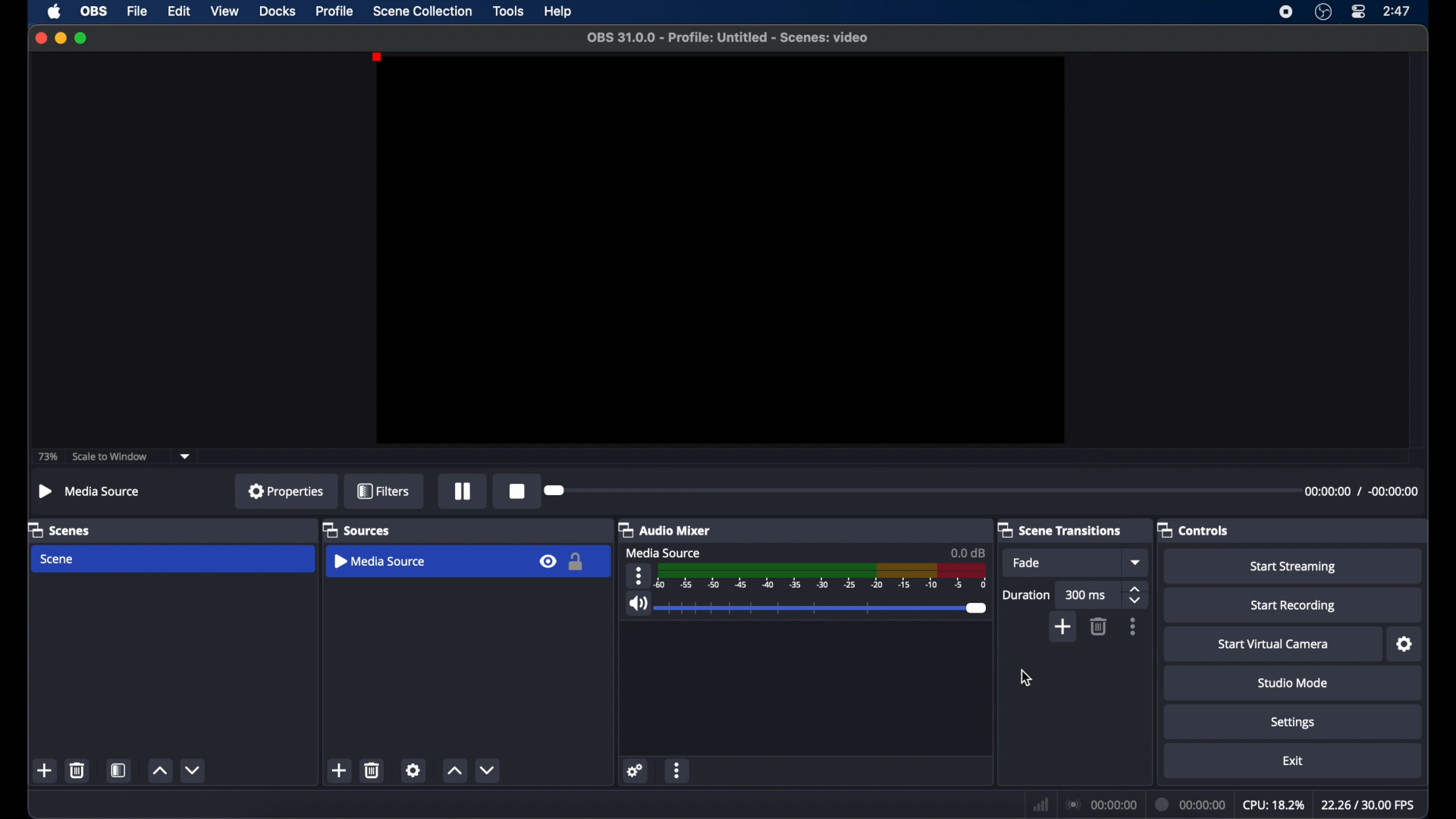 The image size is (1456, 819). I want to click on scene, so click(58, 559).